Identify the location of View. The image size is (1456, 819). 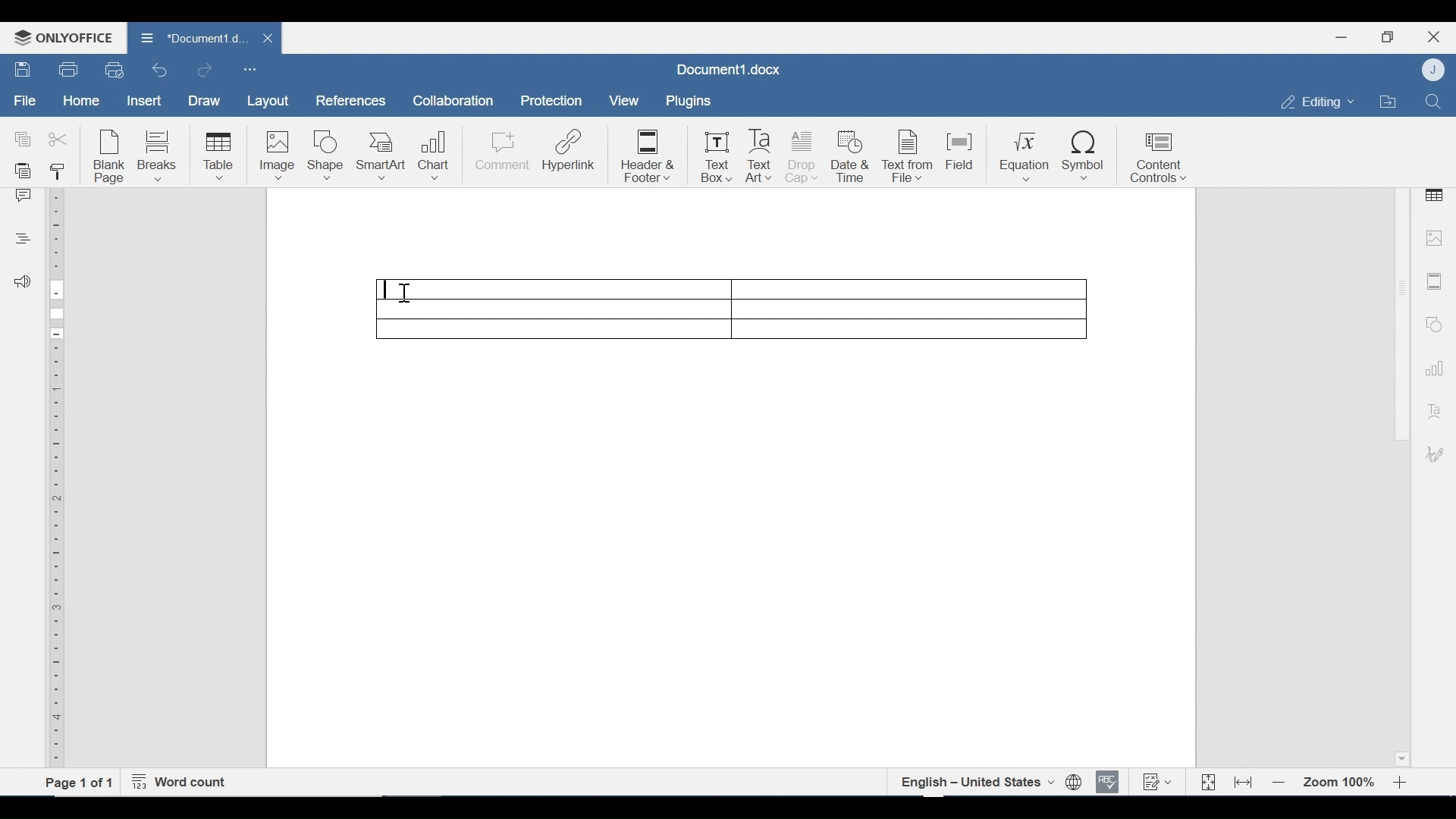
(625, 101).